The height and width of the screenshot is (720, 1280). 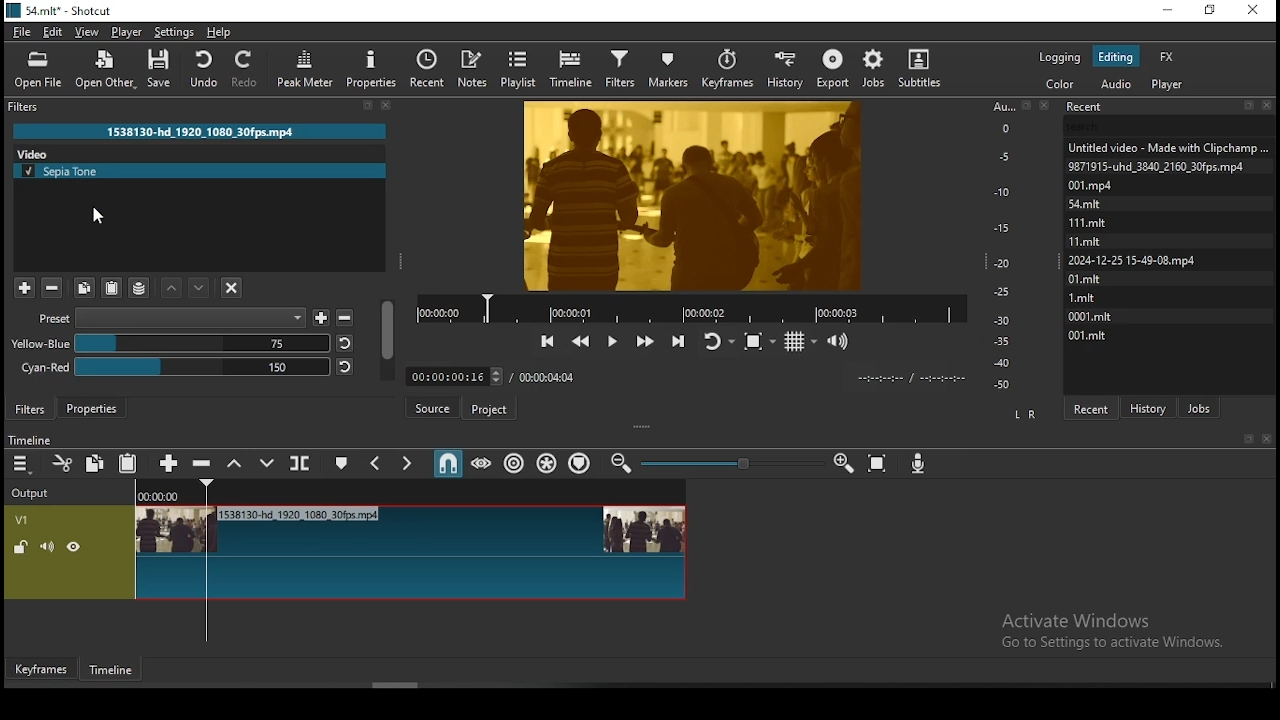 I want to click on filters, so click(x=620, y=67).